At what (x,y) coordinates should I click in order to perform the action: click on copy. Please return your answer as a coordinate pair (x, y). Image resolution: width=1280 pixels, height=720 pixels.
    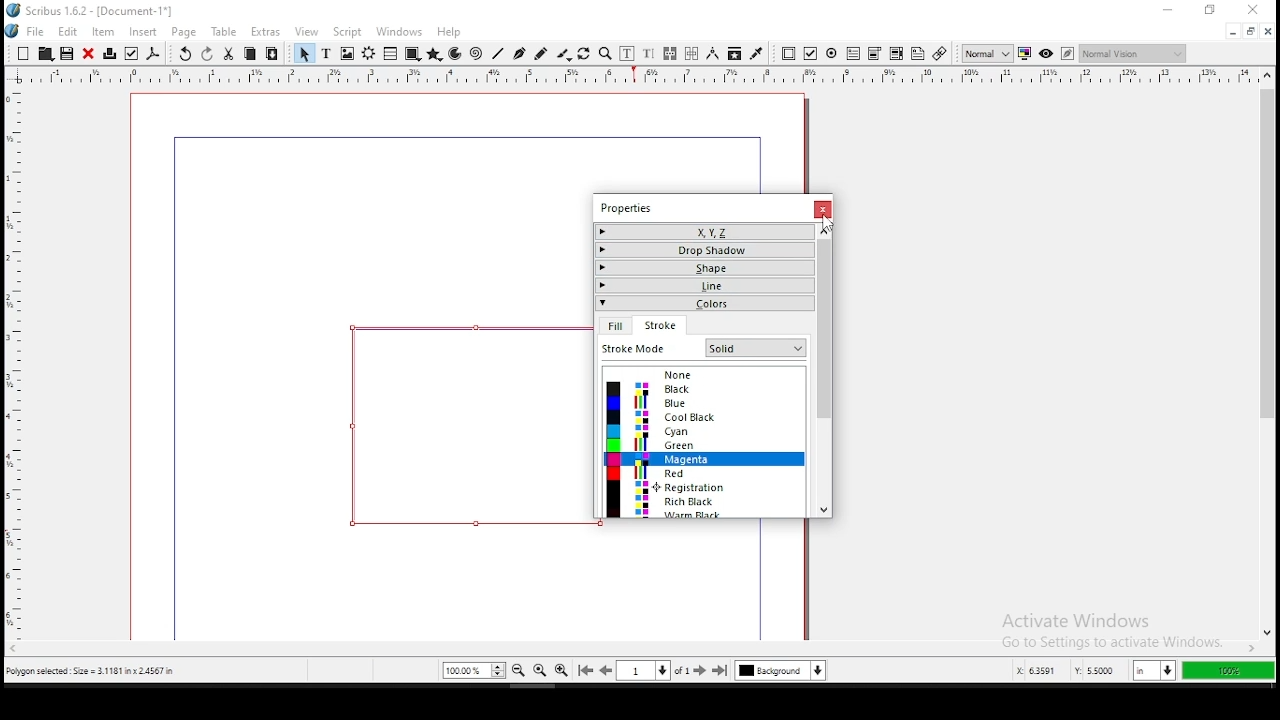
    Looking at the image, I should click on (250, 54).